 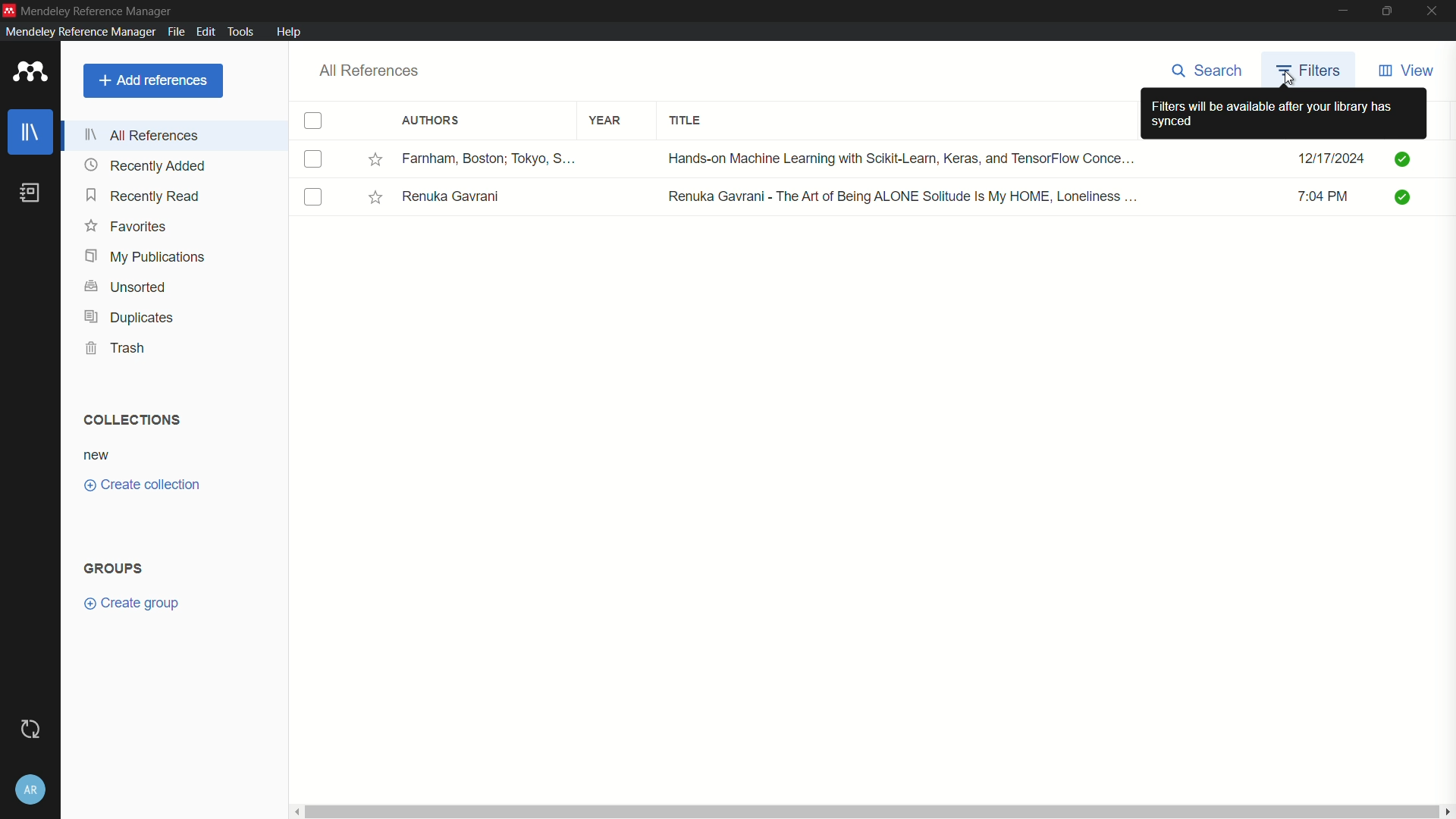 What do you see at coordinates (31, 71) in the screenshot?
I see `app icon` at bounding box center [31, 71].